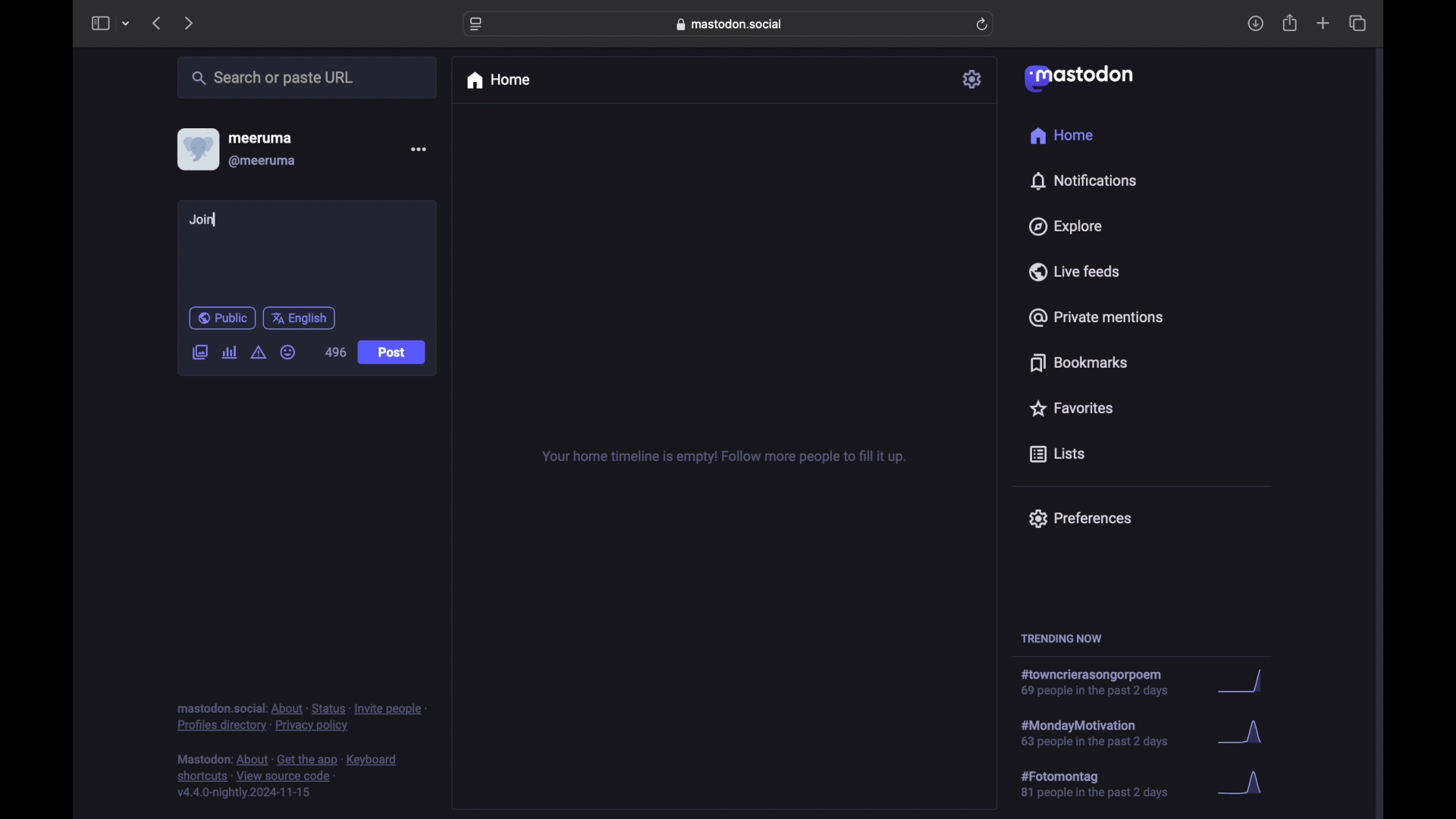 This screenshot has height=819, width=1456. I want to click on private mentions, so click(1097, 317).